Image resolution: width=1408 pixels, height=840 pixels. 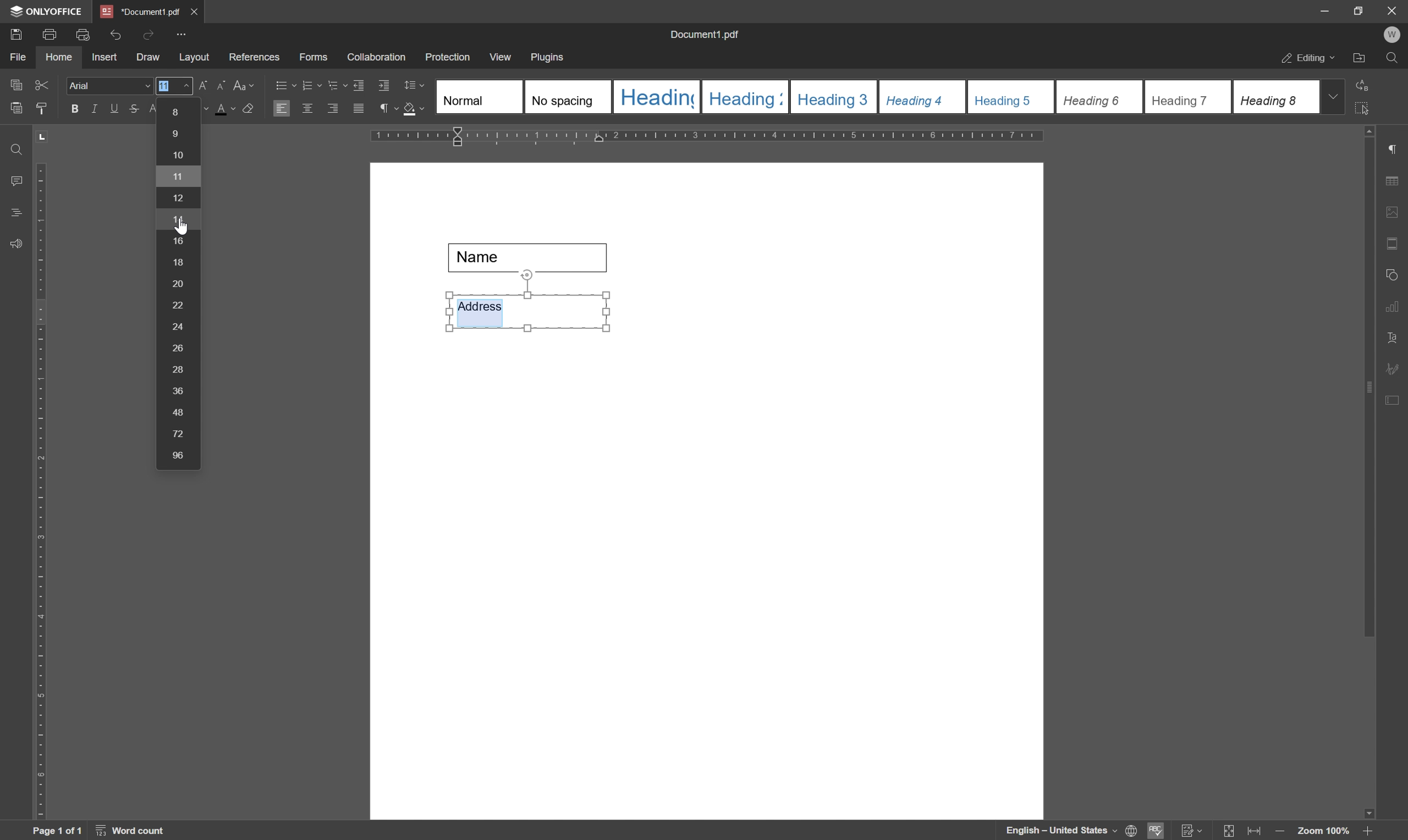 What do you see at coordinates (1157, 830) in the screenshot?
I see `spell checking` at bounding box center [1157, 830].